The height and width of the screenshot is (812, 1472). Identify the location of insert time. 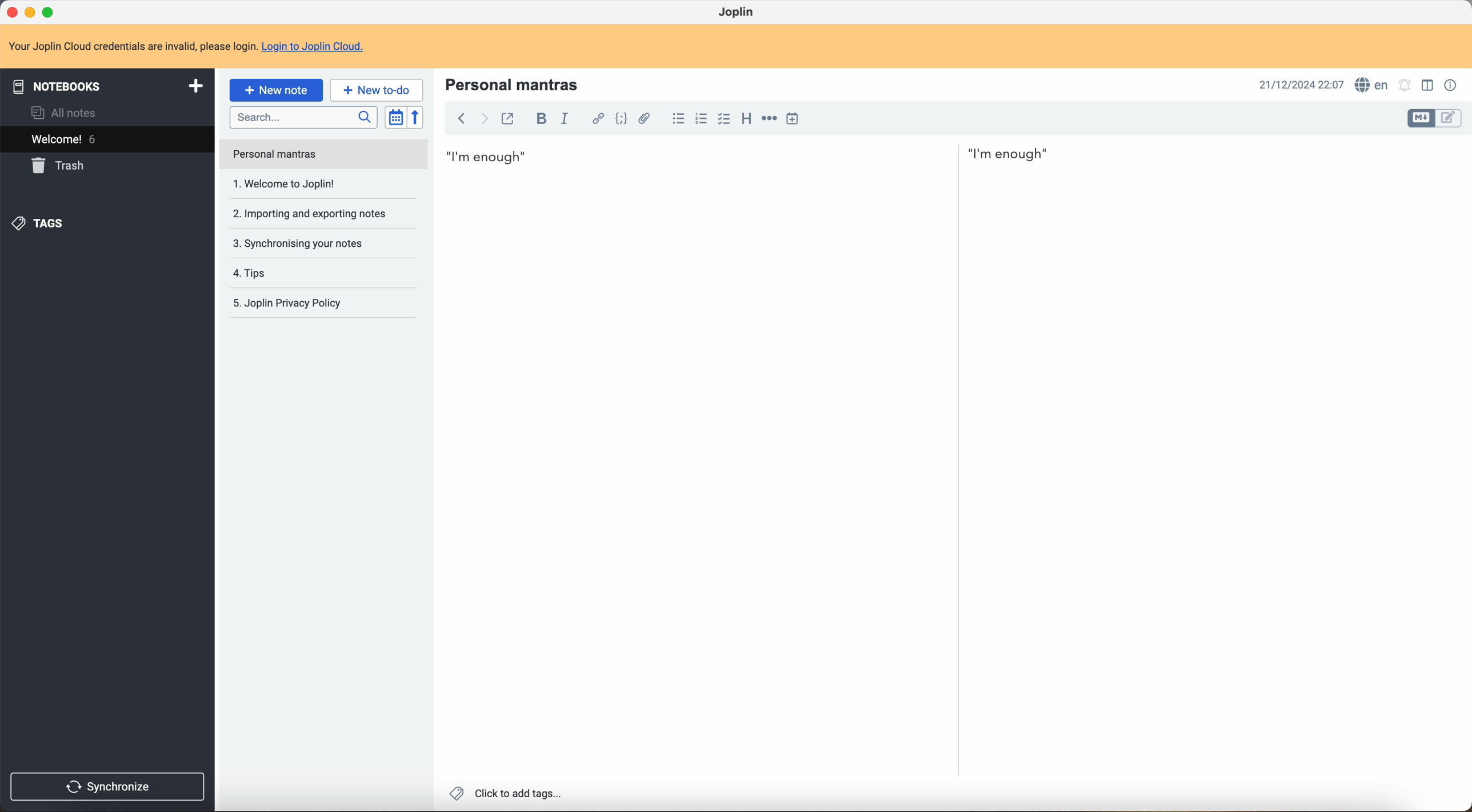
(792, 118).